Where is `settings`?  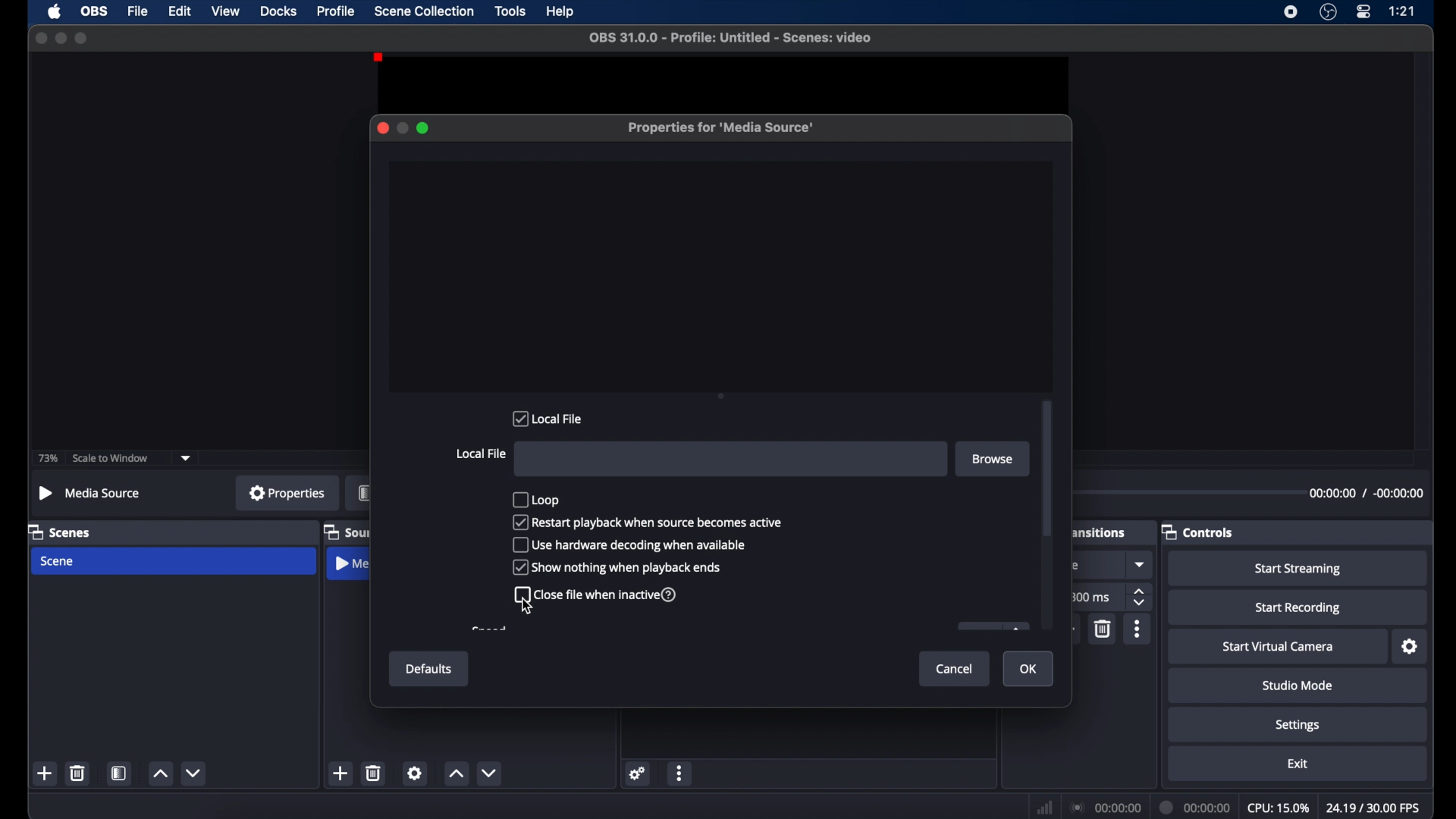 settings is located at coordinates (1410, 647).